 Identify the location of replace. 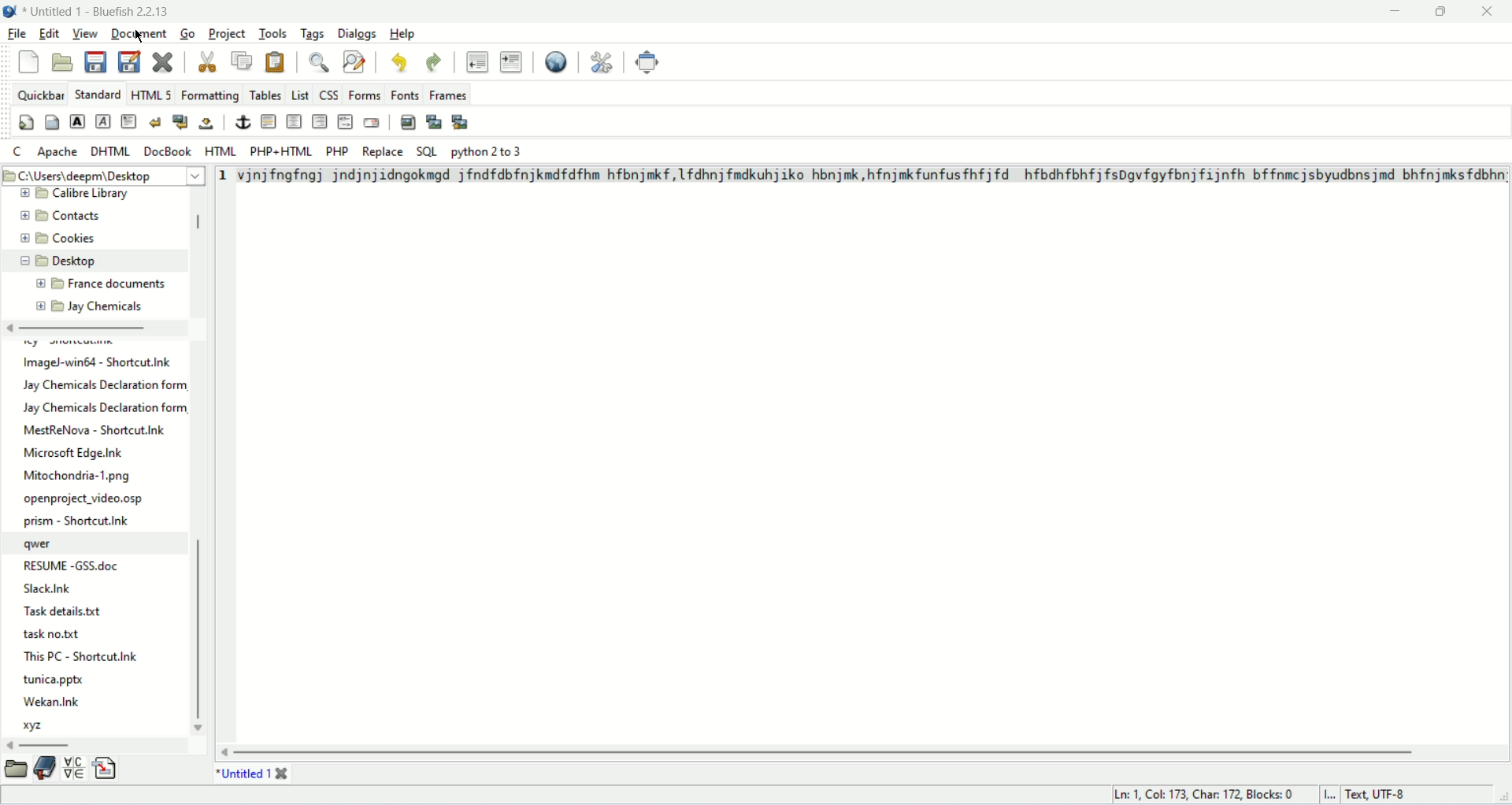
(384, 152).